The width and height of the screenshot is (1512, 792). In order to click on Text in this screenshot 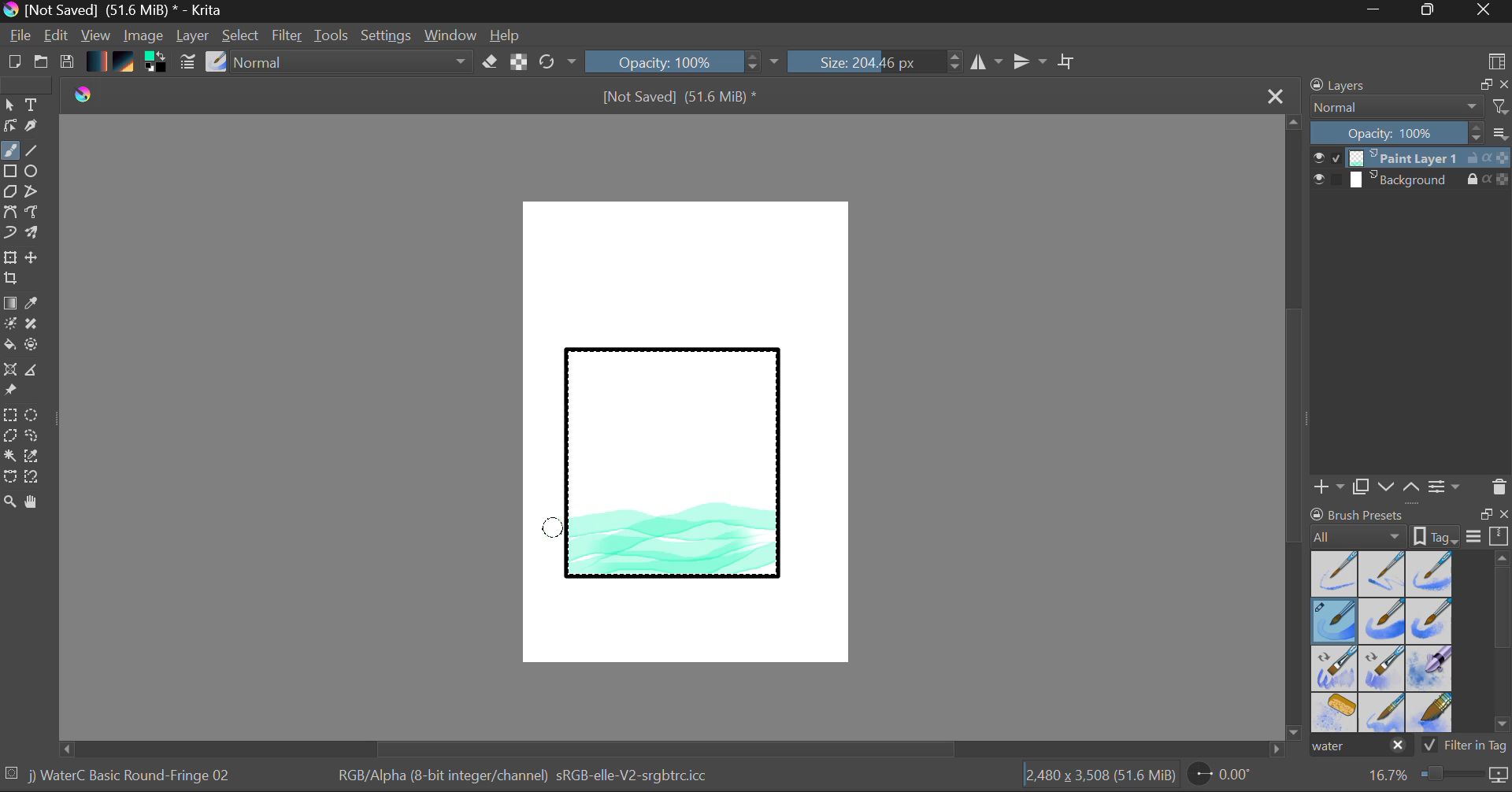, I will do `click(32, 103)`.